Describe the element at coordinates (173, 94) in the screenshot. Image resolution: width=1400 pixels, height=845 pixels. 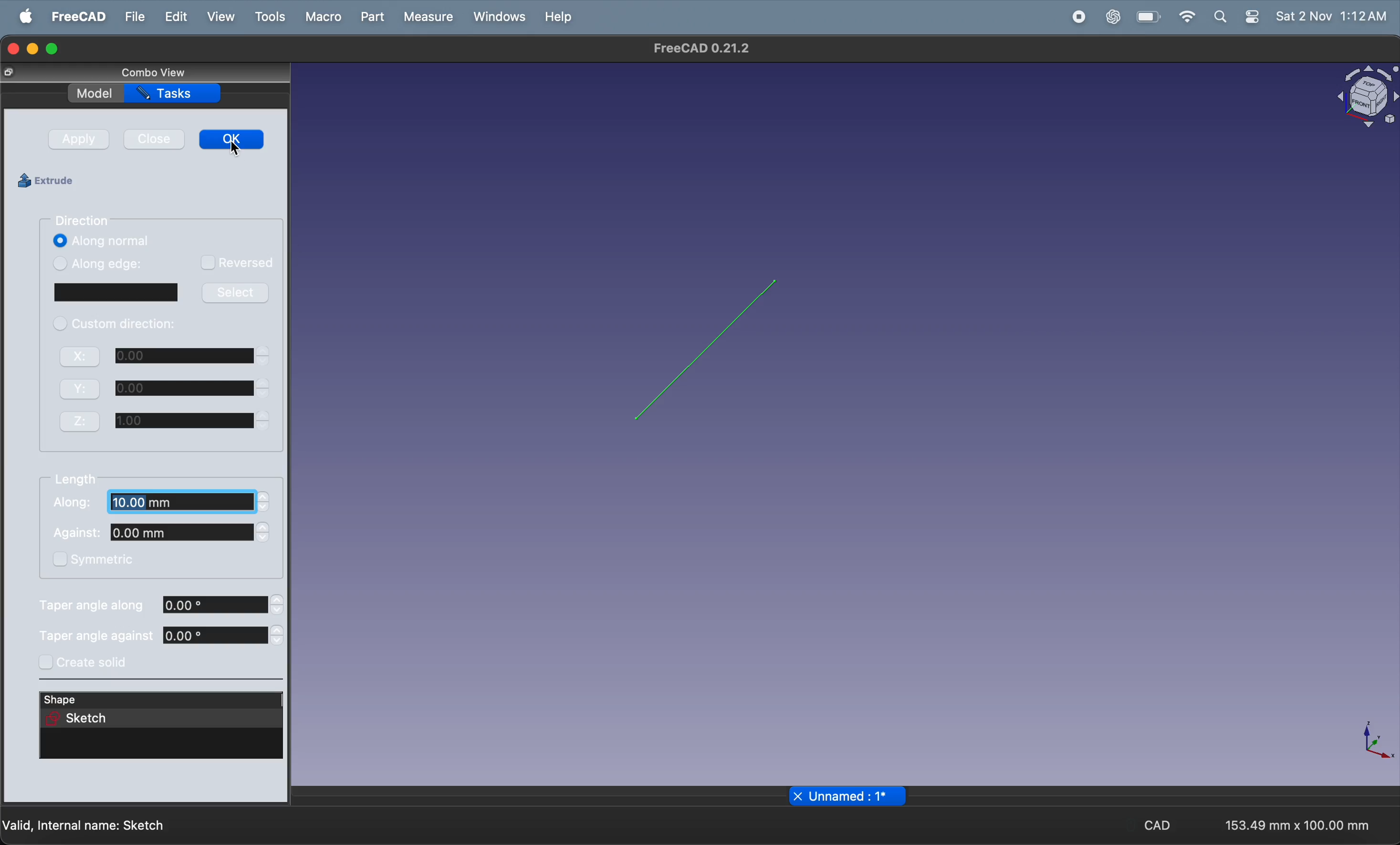
I see `tasks` at that location.